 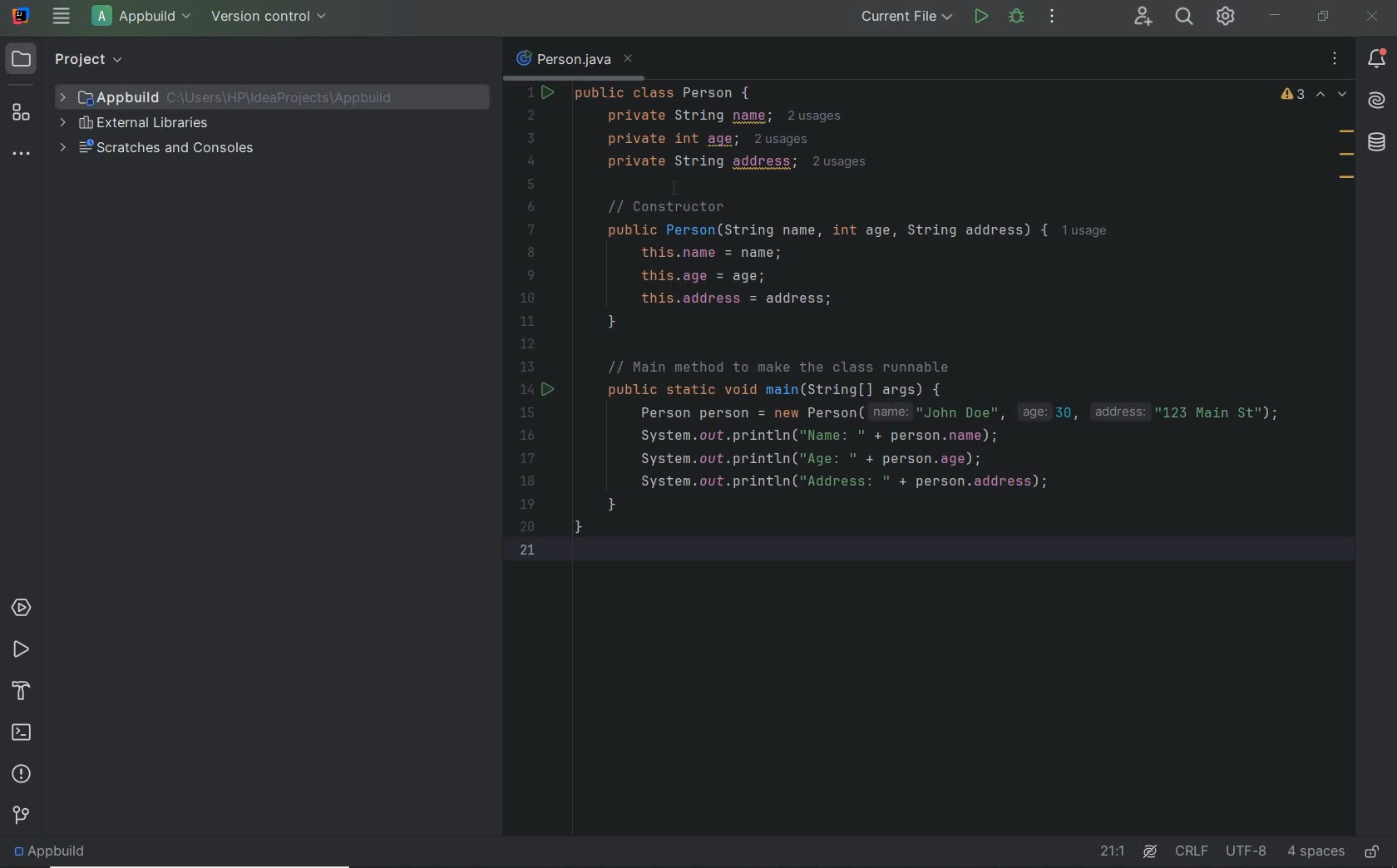 What do you see at coordinates (21, 113) in the screenshot?
I see `structure` at bounding box center [21, 113].